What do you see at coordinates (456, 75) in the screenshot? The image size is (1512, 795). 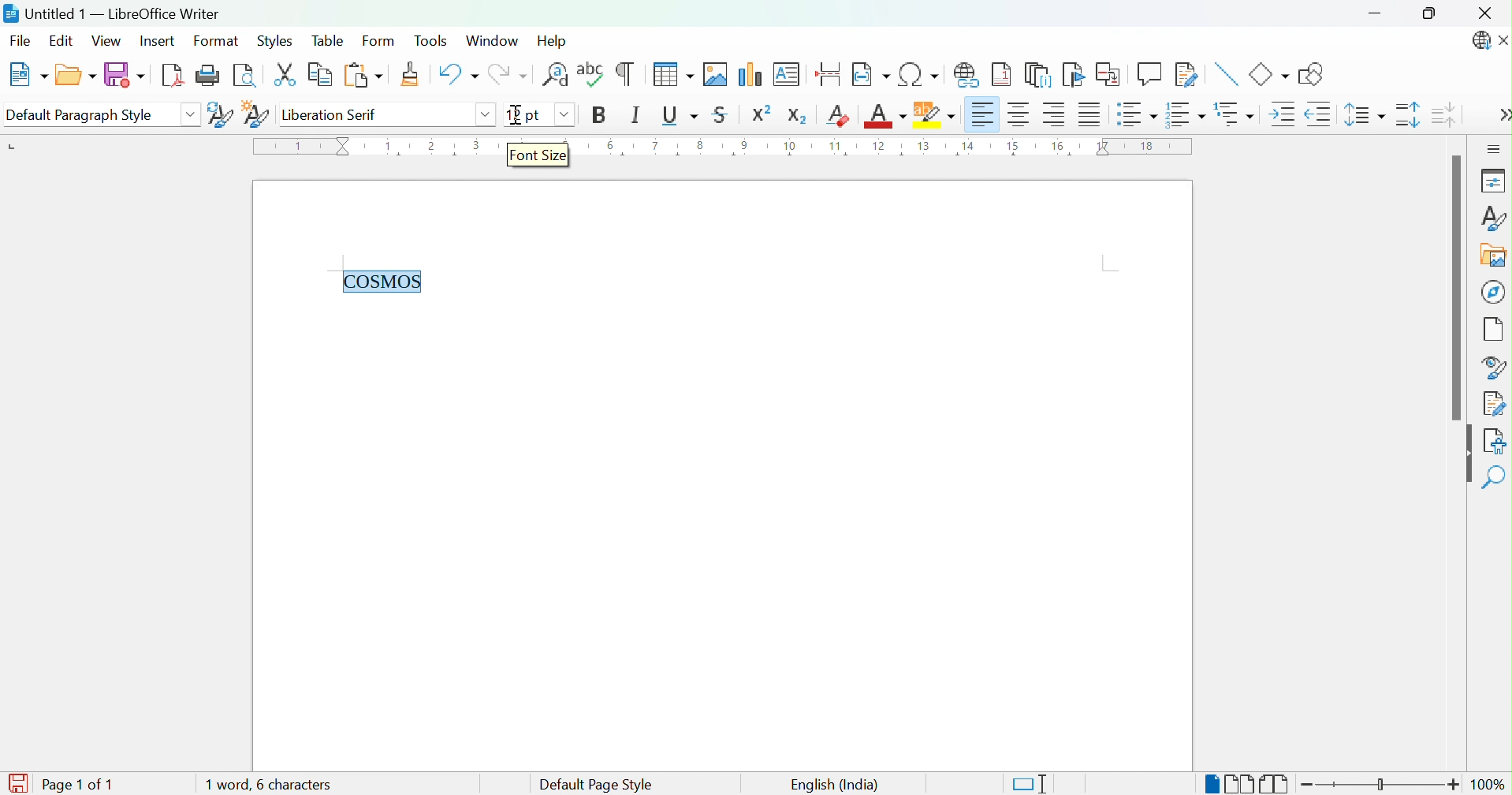 I see `Undo` at bounding box center [456, 75].